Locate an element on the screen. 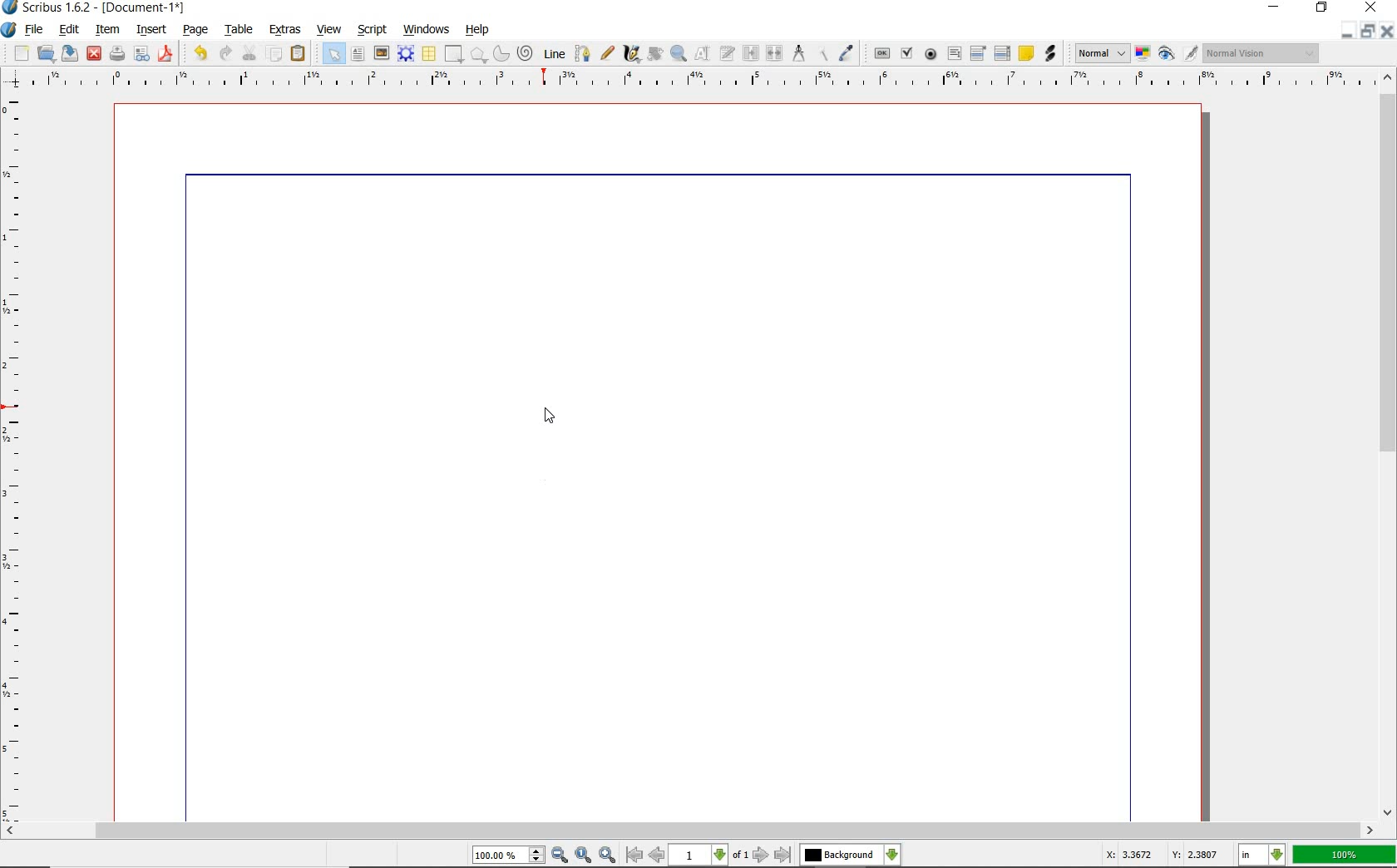 Image resolution: width=1397 pixels, height=868 pixels. zoom factor 100% is located at coordinates (1345, 854).